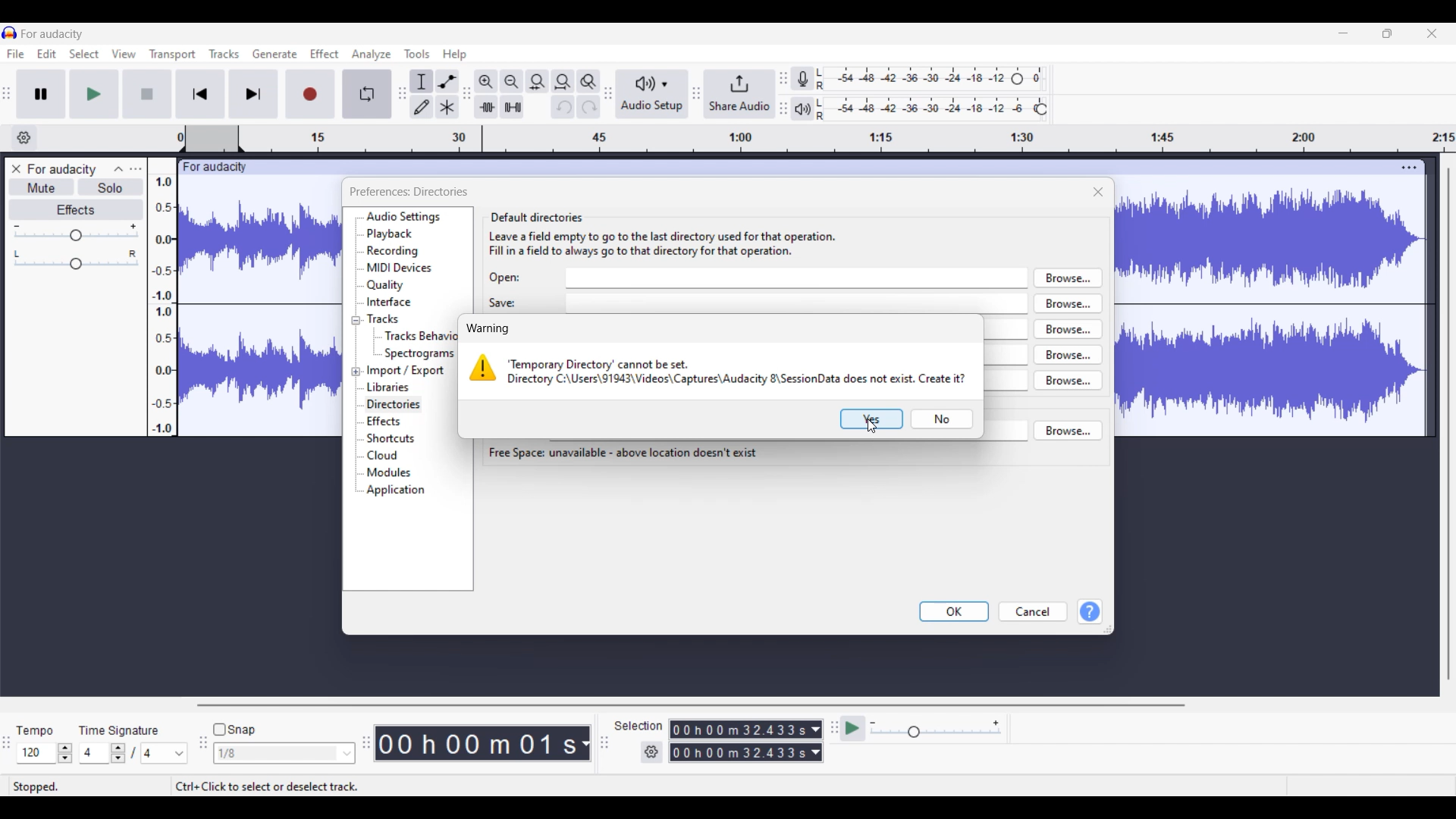 Image resolution: width=1456 pixels, height=819 pixels. What do you see at coordinates (118, 753) in the screenshot?
I see `Increase/Decrease number` at bounding box center [118, 753].